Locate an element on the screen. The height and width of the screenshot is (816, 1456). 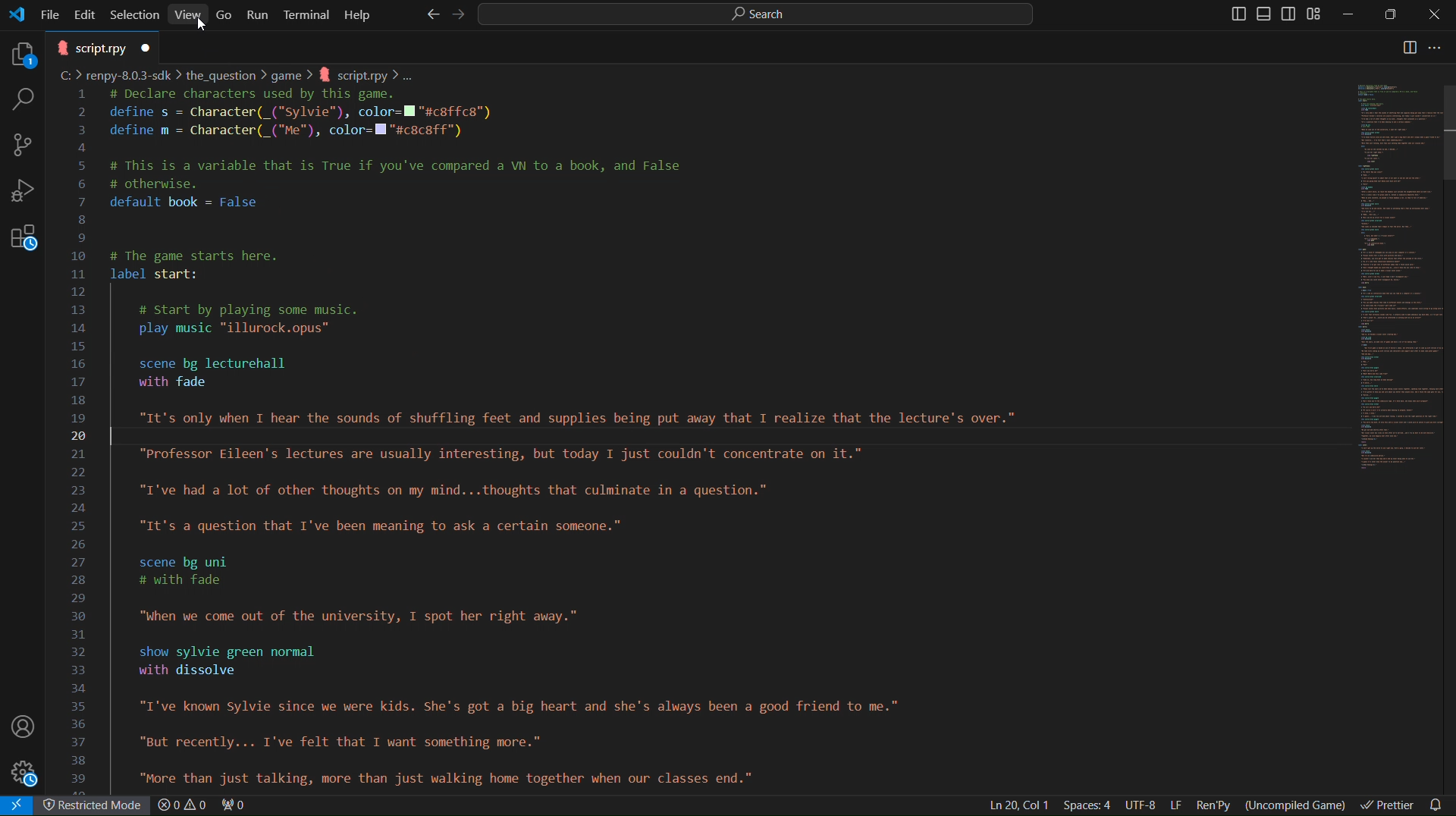
Run is located at coordinates (259, 14).